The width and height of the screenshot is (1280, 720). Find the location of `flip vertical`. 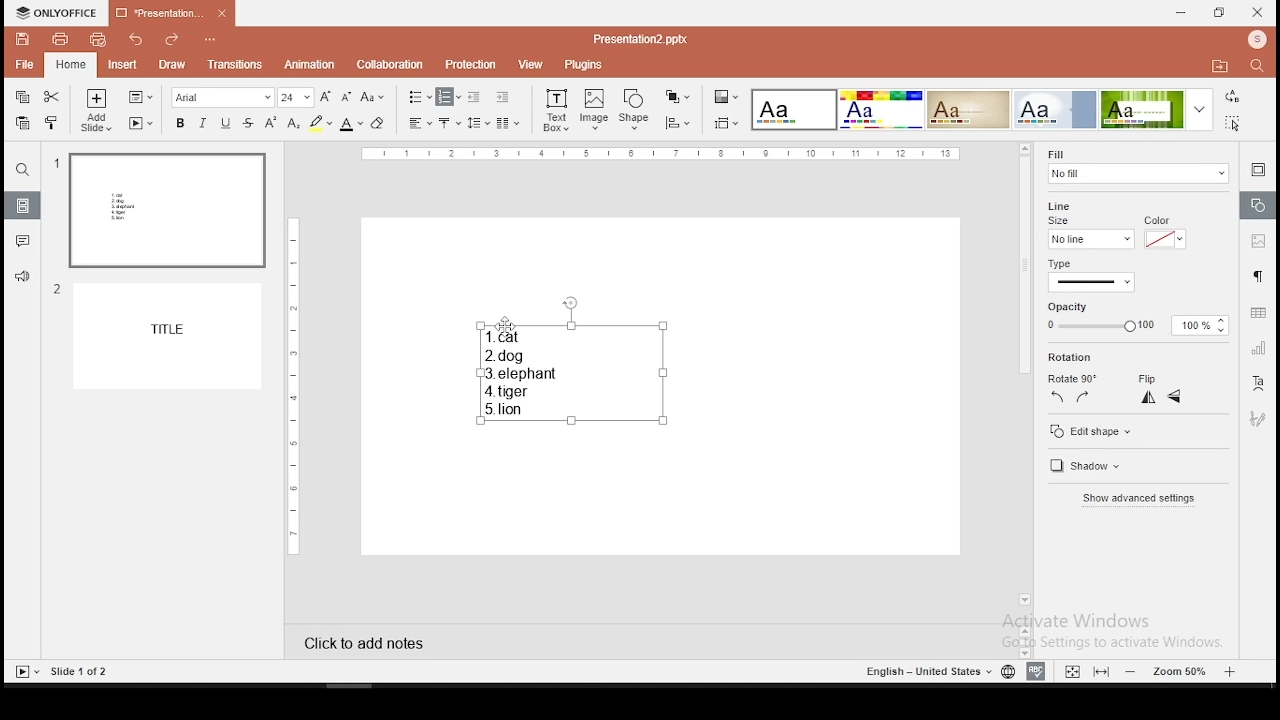

flip vertical is located at coordinates (1147, 398).